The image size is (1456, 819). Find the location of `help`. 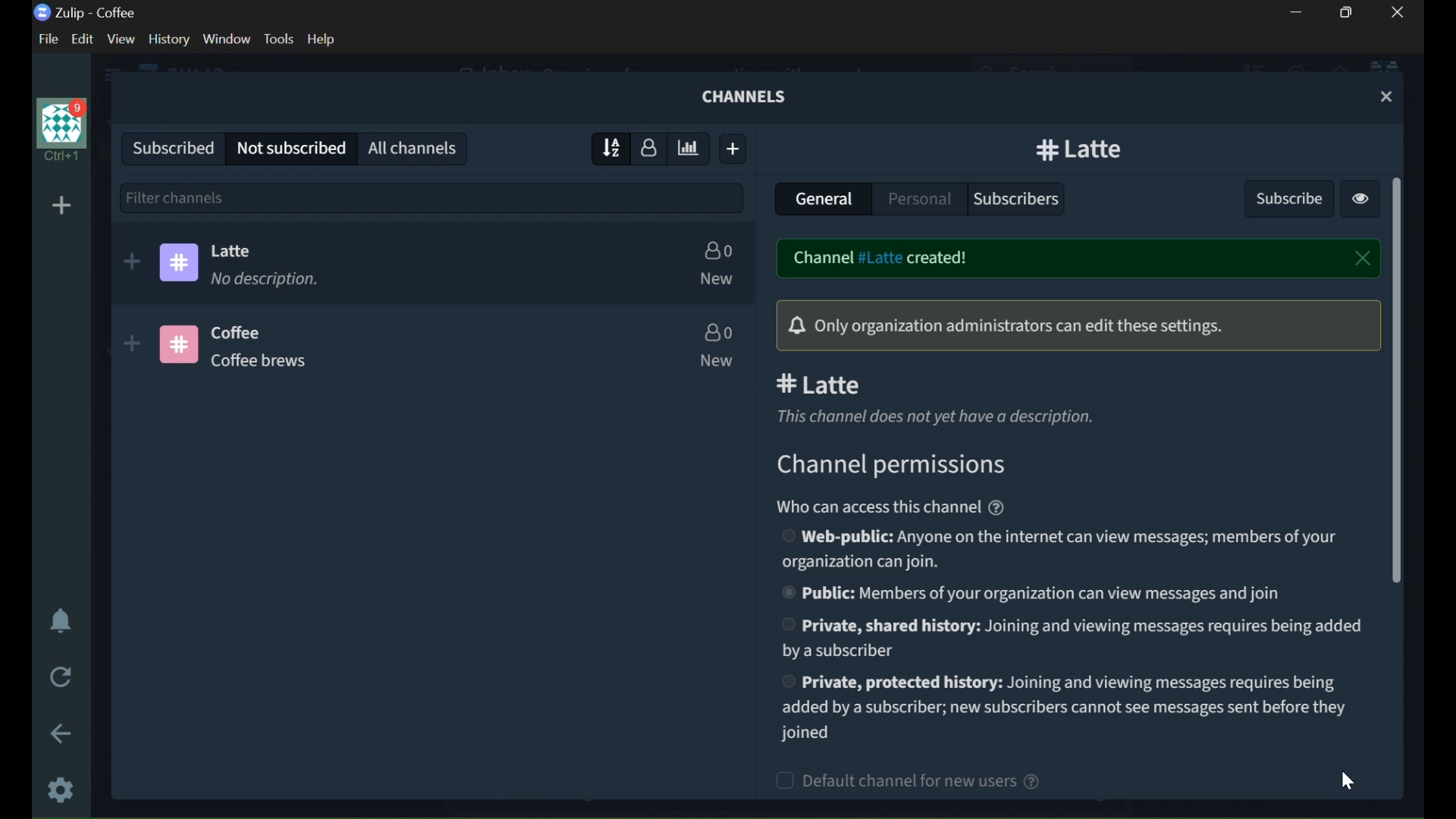

help is located at coordinates (322, 39).